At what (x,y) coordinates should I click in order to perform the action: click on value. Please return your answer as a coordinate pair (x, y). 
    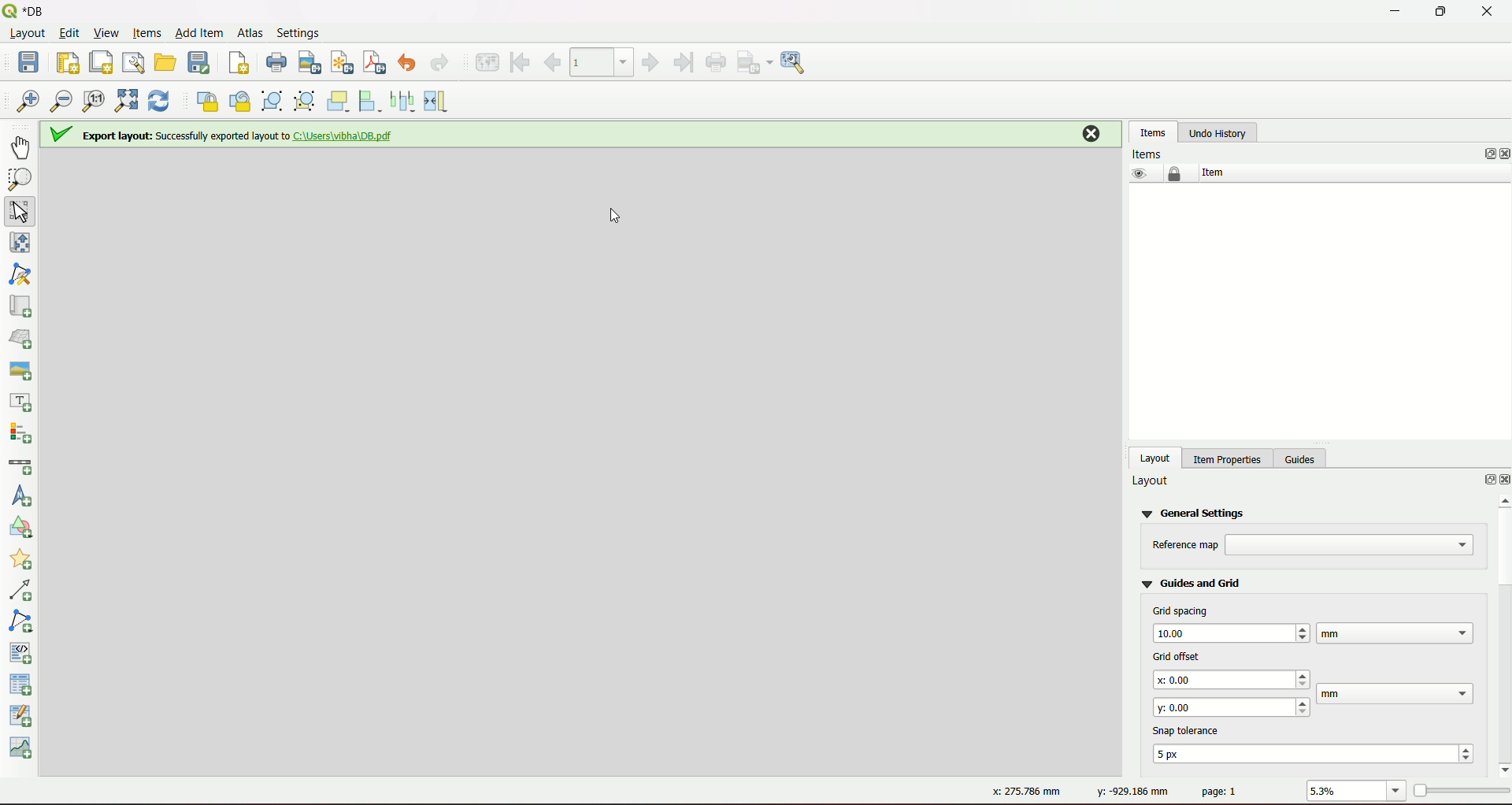
    Looking at the image, I should click on (1344, 792).